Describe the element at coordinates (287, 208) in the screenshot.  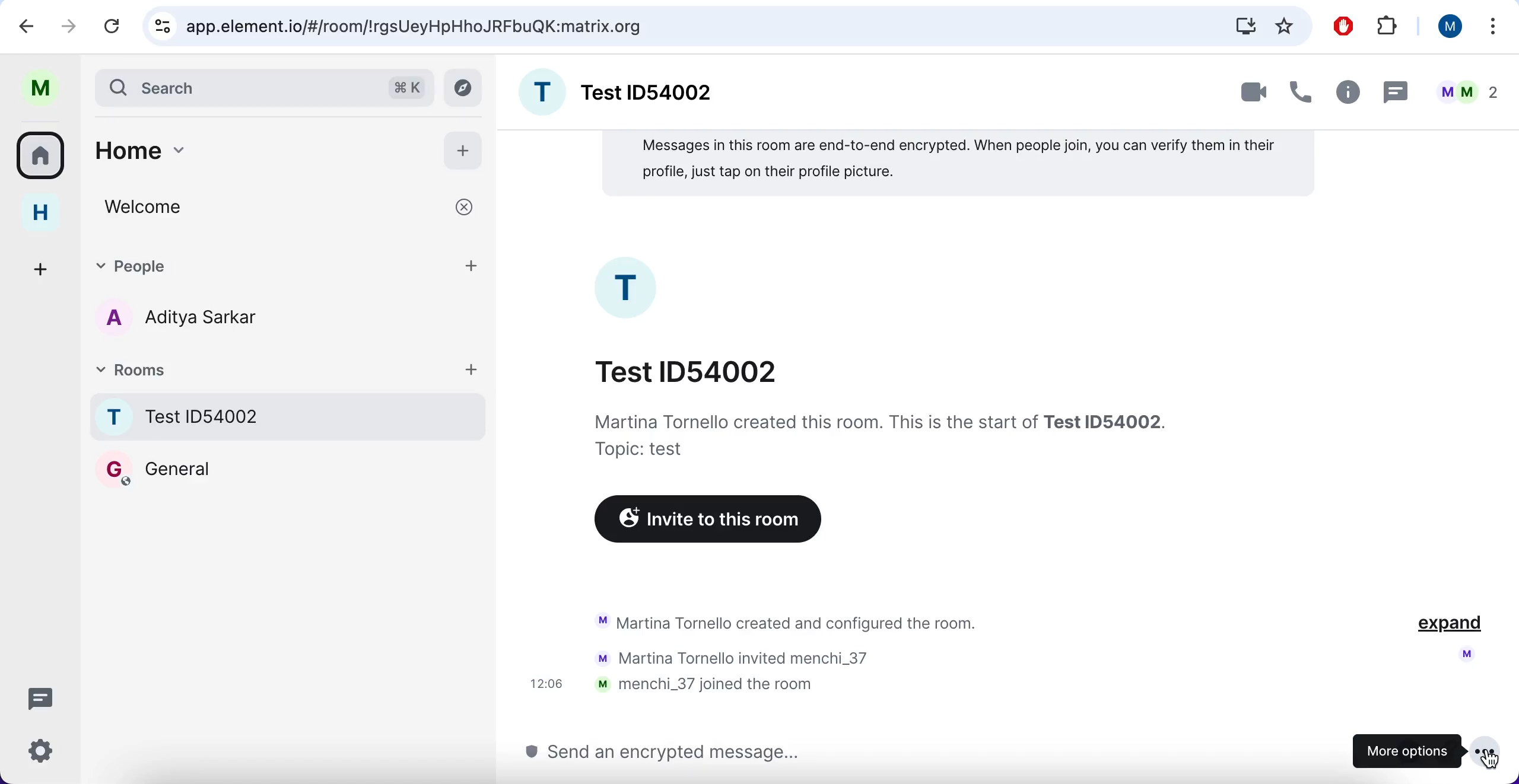
I see `welcome` at that location.